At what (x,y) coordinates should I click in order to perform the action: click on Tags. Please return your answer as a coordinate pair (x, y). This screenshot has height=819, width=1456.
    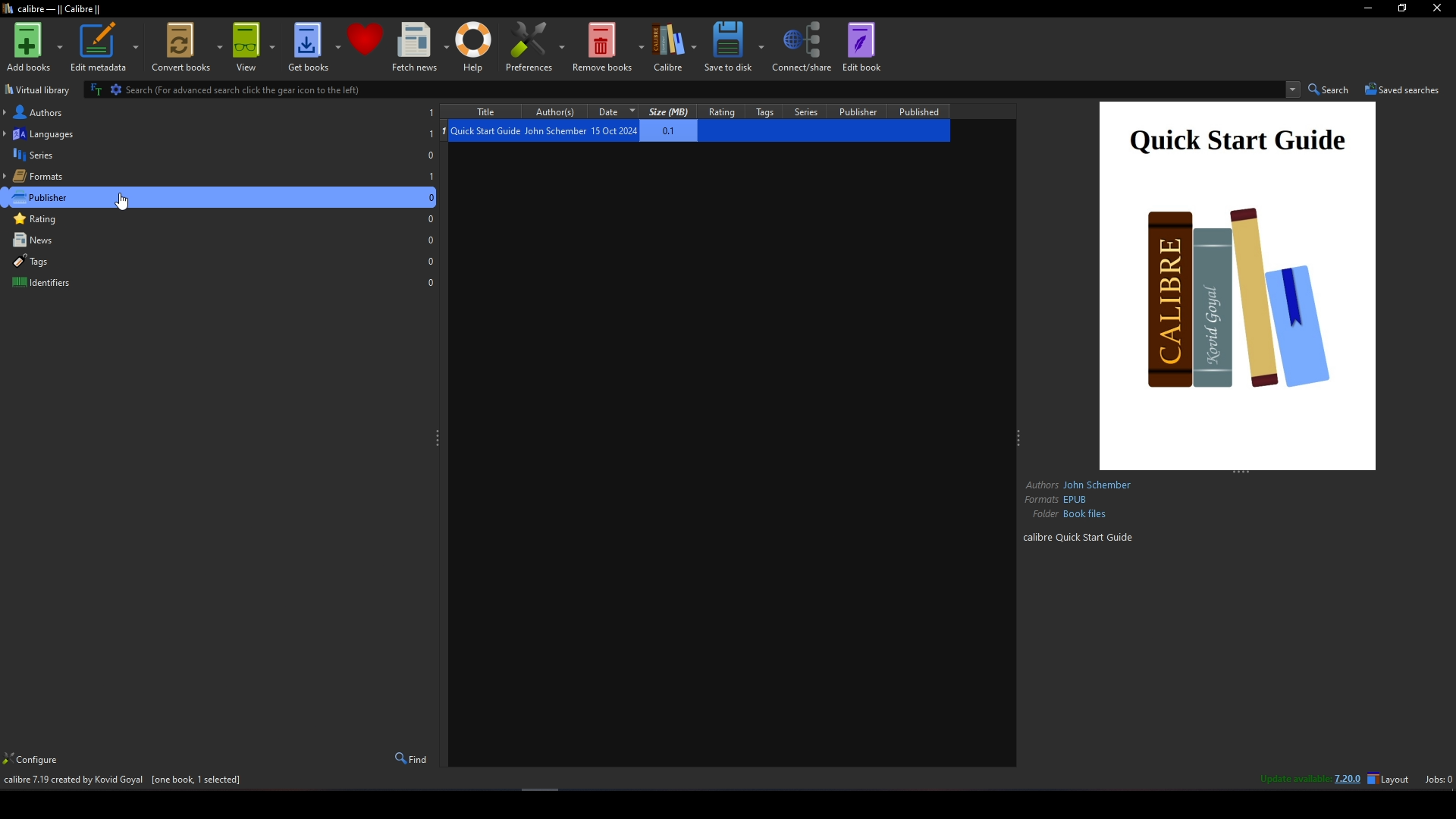
    Looking at the image, I should click on (767, 111).